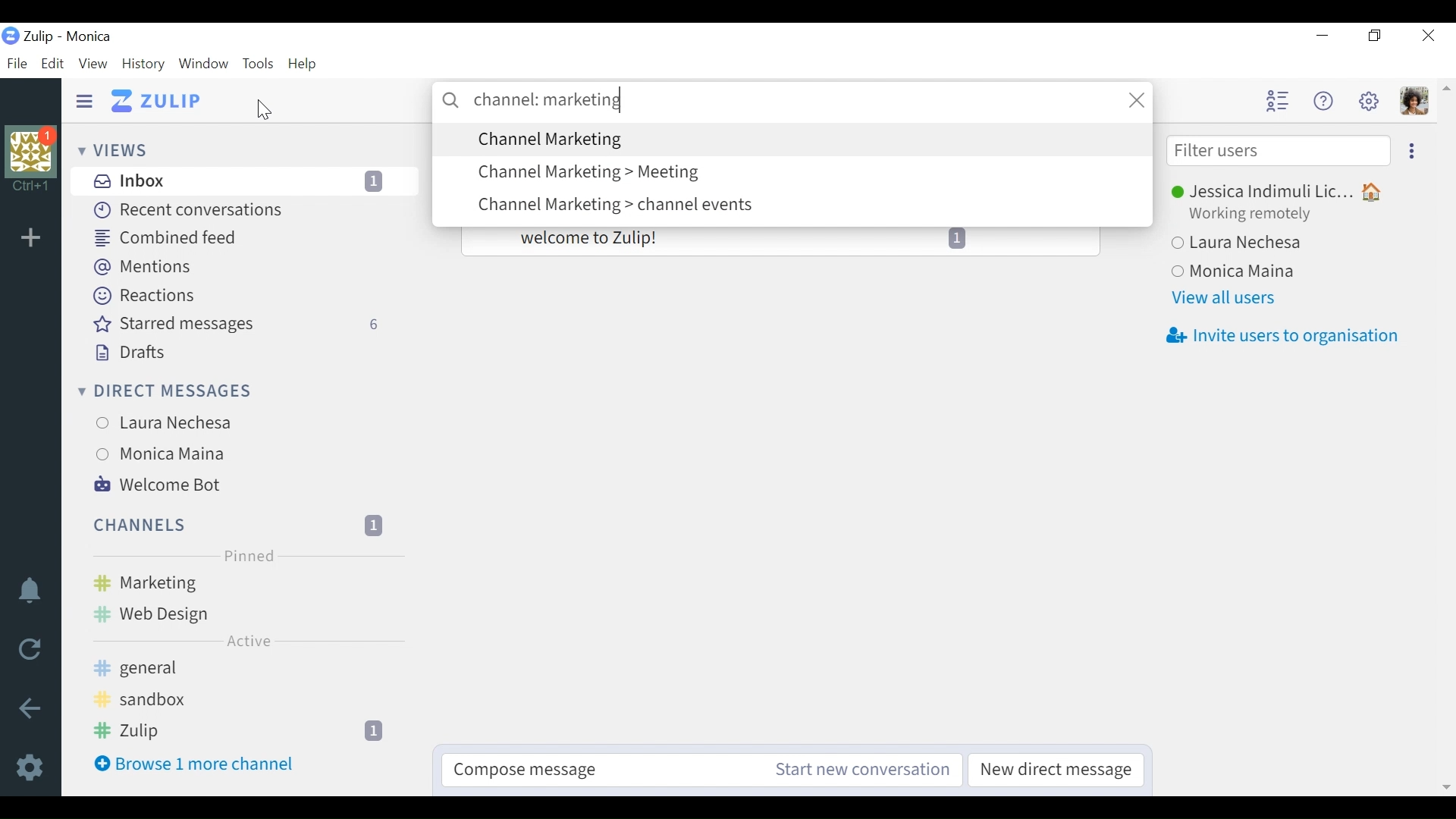 This screenshot has width=1456, height=819. What do you see at coordinates (143, 63) in the screenshot?
I see `History` at bounding box center [143, 63].